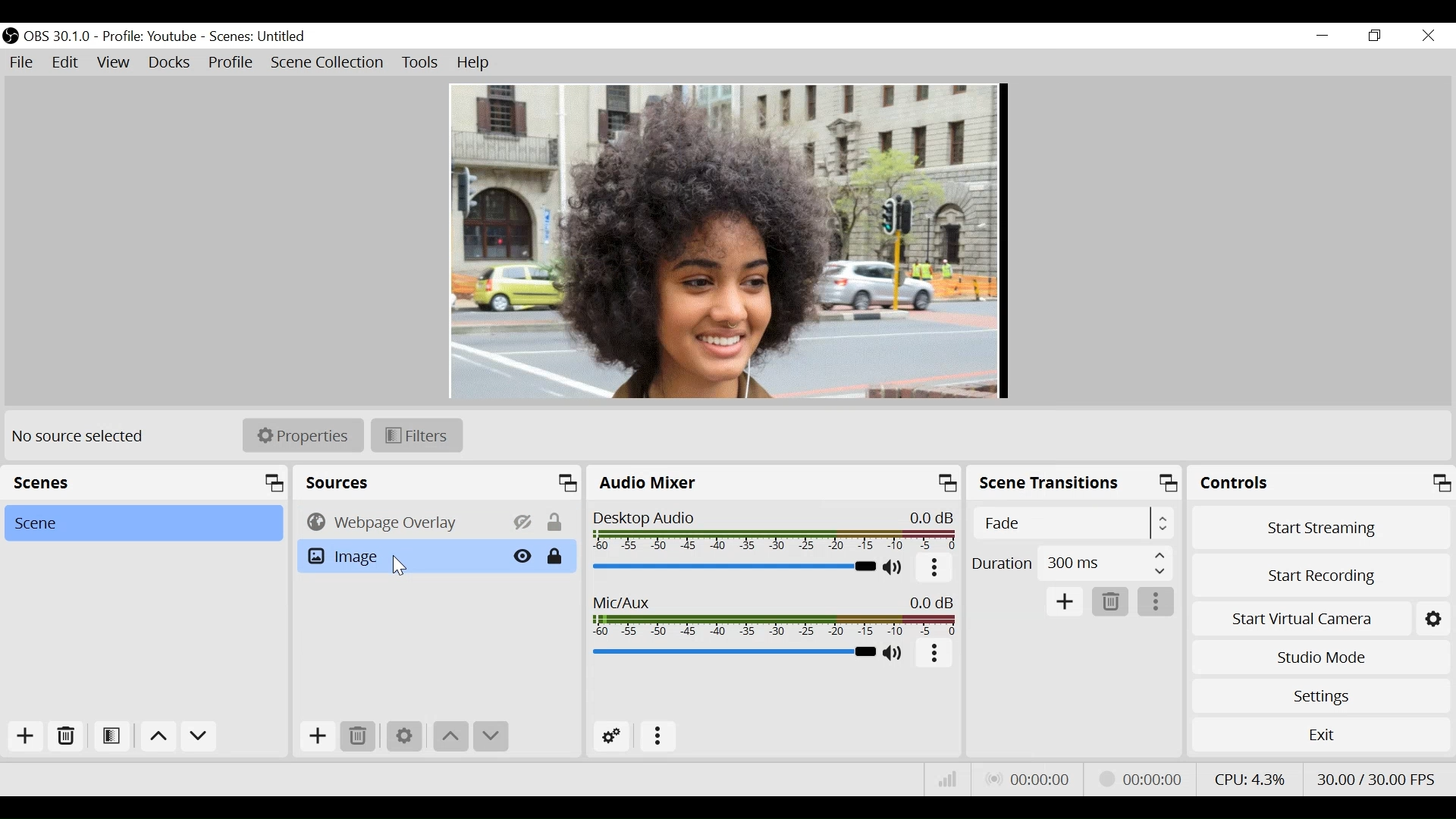 The width and height of the screenshot is (1456, 819). I want to click on Start Recording, so click(1321, 578).